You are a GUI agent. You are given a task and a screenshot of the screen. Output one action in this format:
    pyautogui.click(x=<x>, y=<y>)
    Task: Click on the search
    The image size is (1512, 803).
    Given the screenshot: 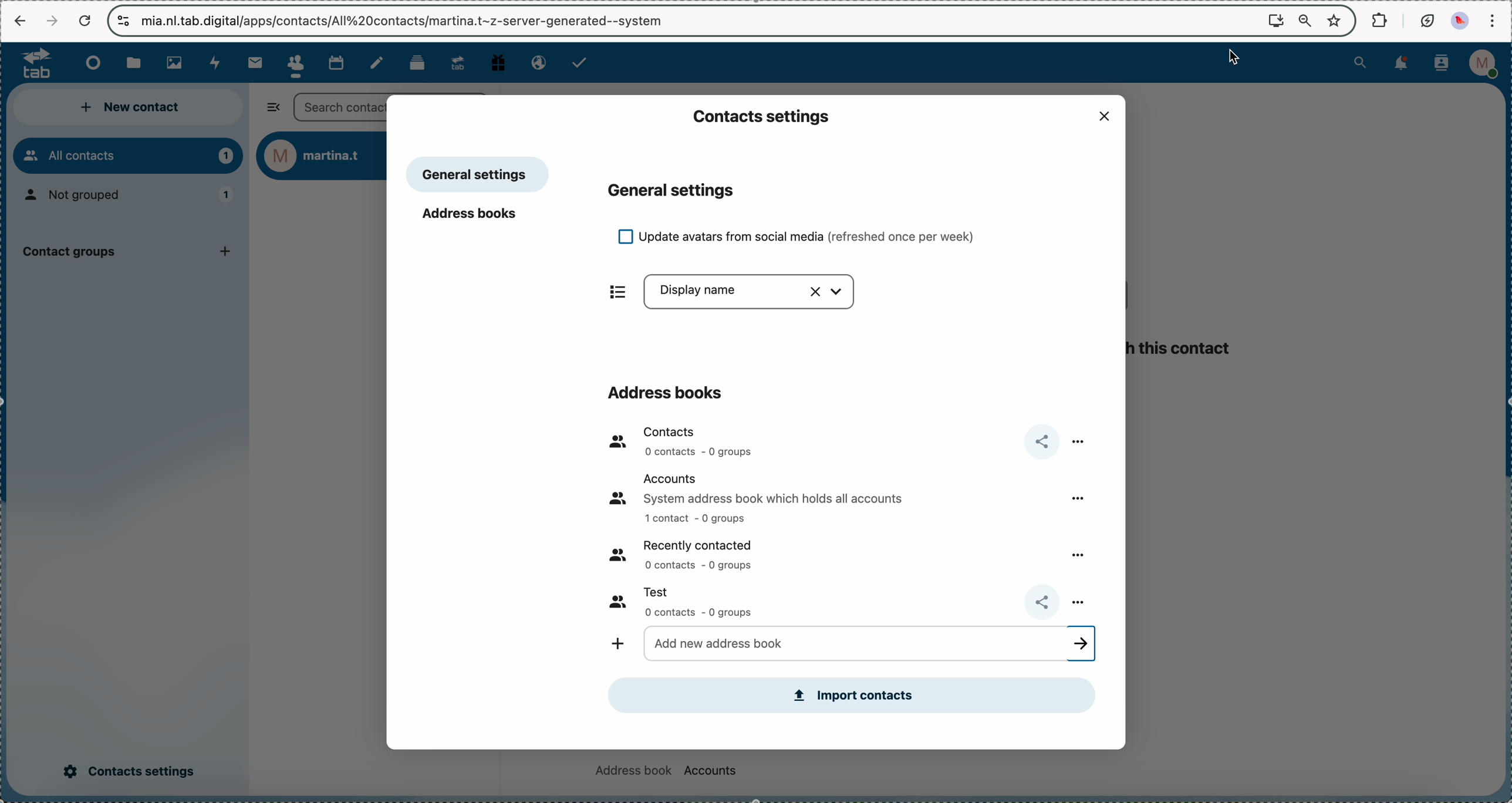 What is the action you would take?
    pyautogui.click(x=1361, y=63)
    